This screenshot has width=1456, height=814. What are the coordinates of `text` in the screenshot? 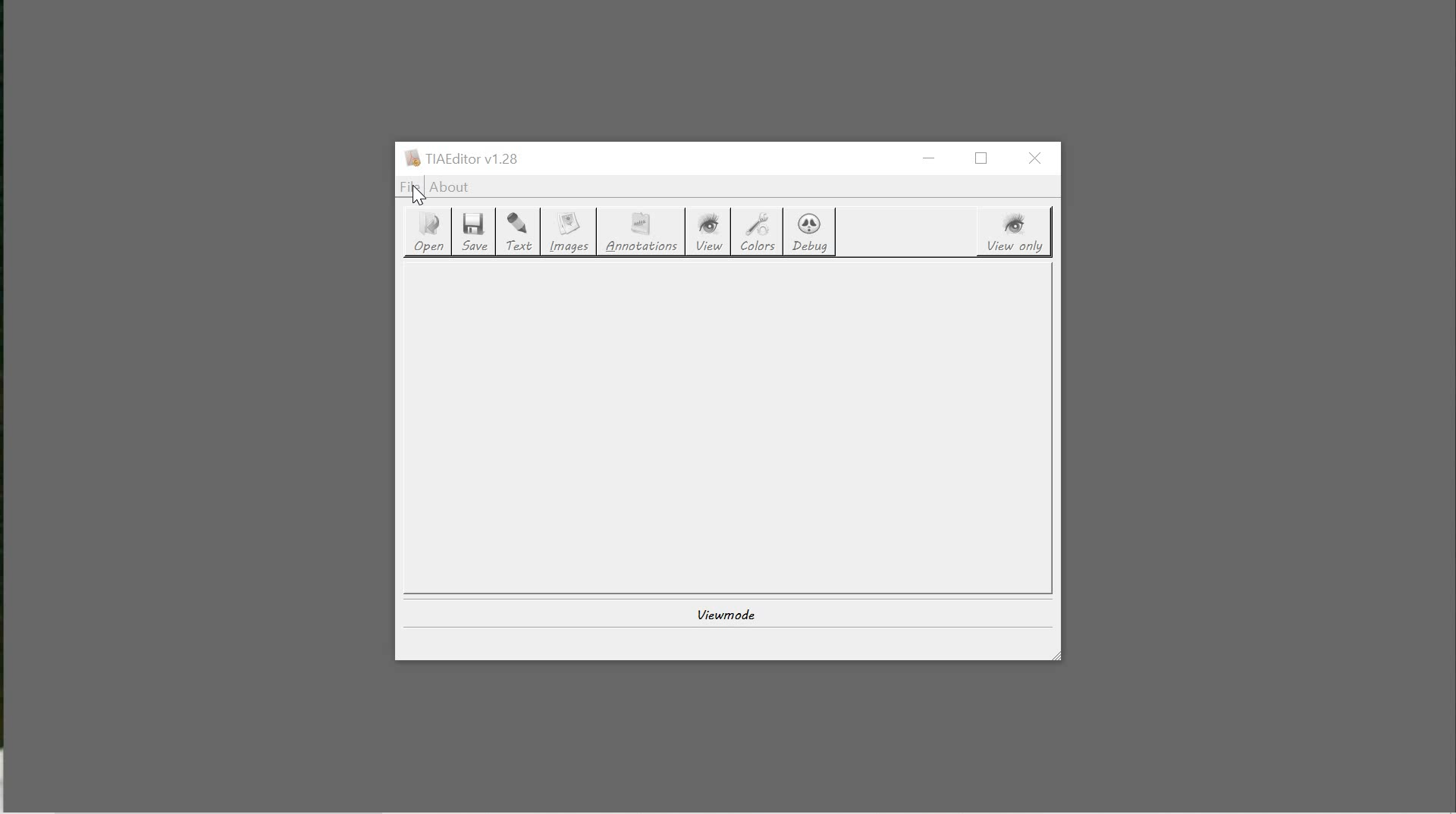 It's located at (521, 233).